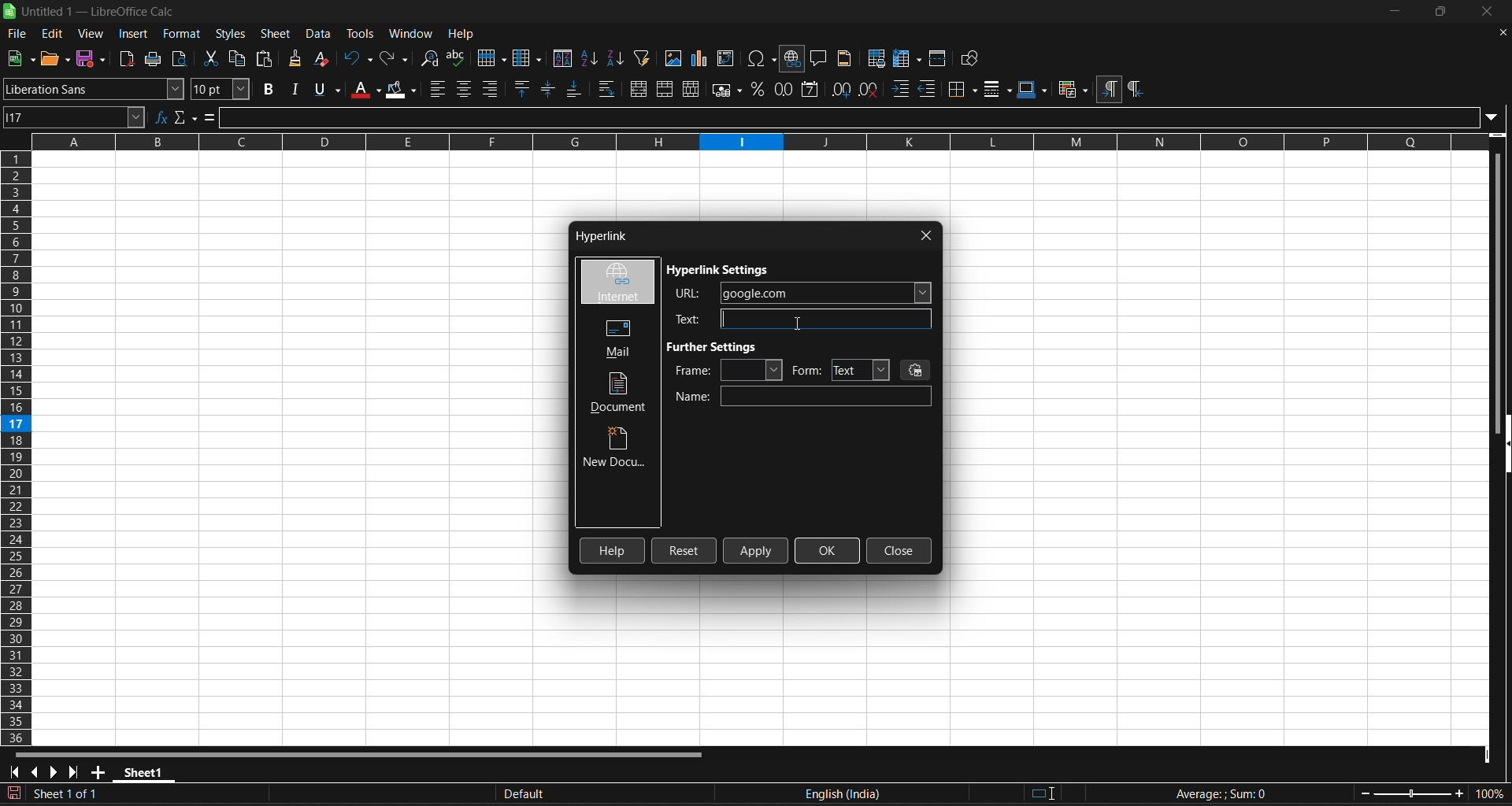 The image size is (1512, 806). Describe the element at coordinates (180, 34) in the screenshot. I see `format` at that location.